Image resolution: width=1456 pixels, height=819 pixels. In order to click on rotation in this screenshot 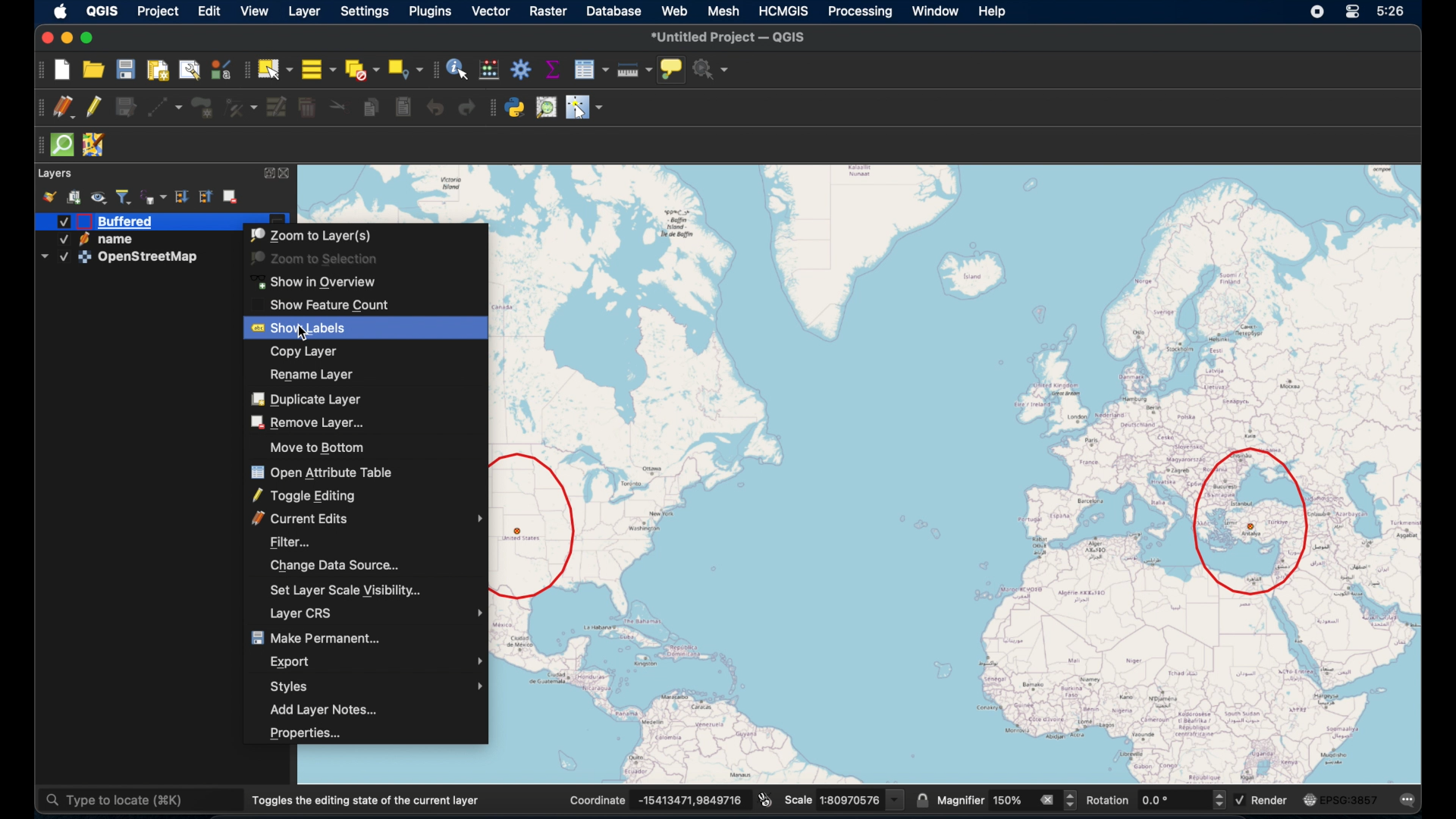, I will do `click(1109, 800)`.